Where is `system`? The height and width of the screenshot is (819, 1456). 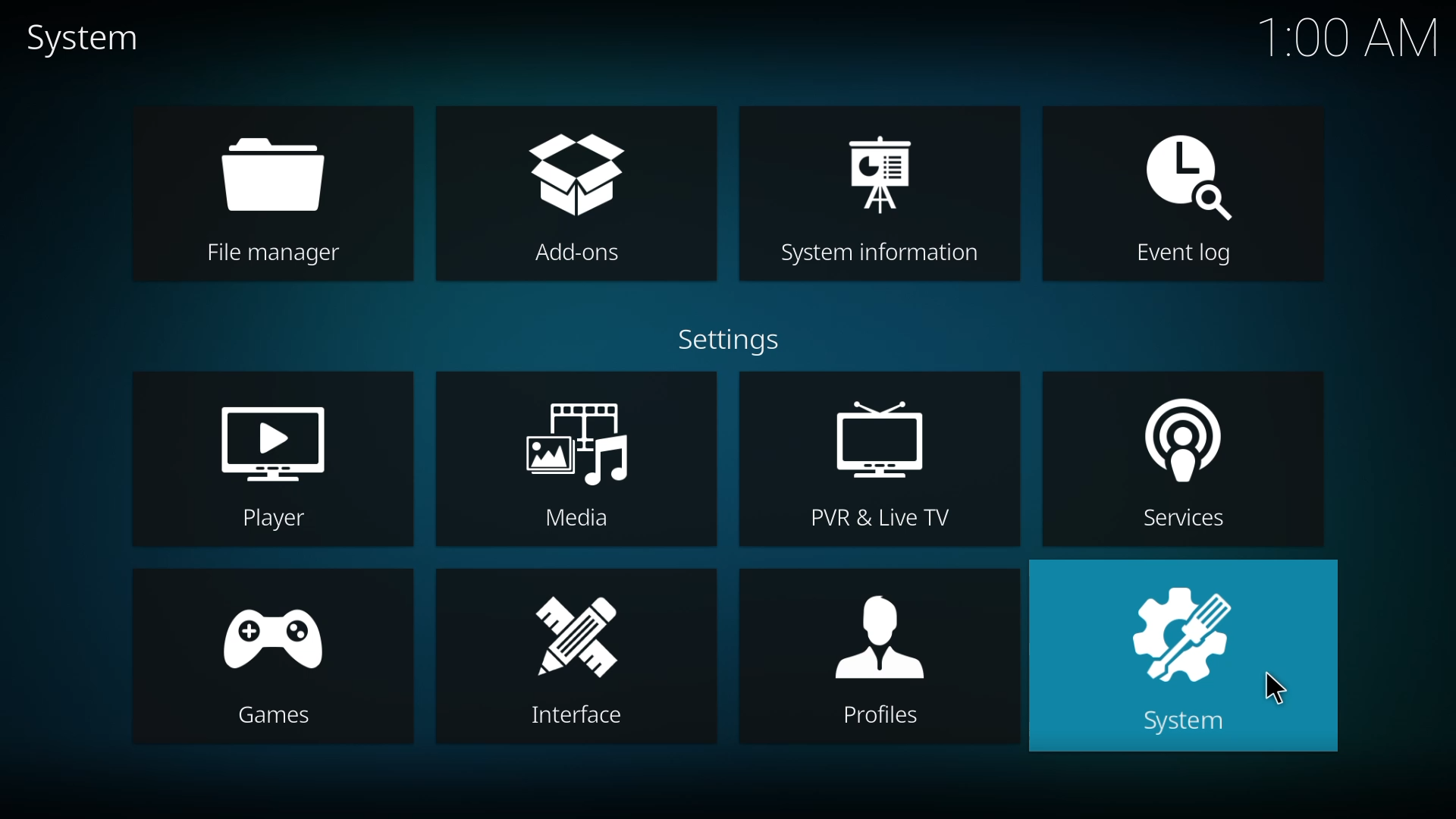 system is located at coordinates (82, 36).